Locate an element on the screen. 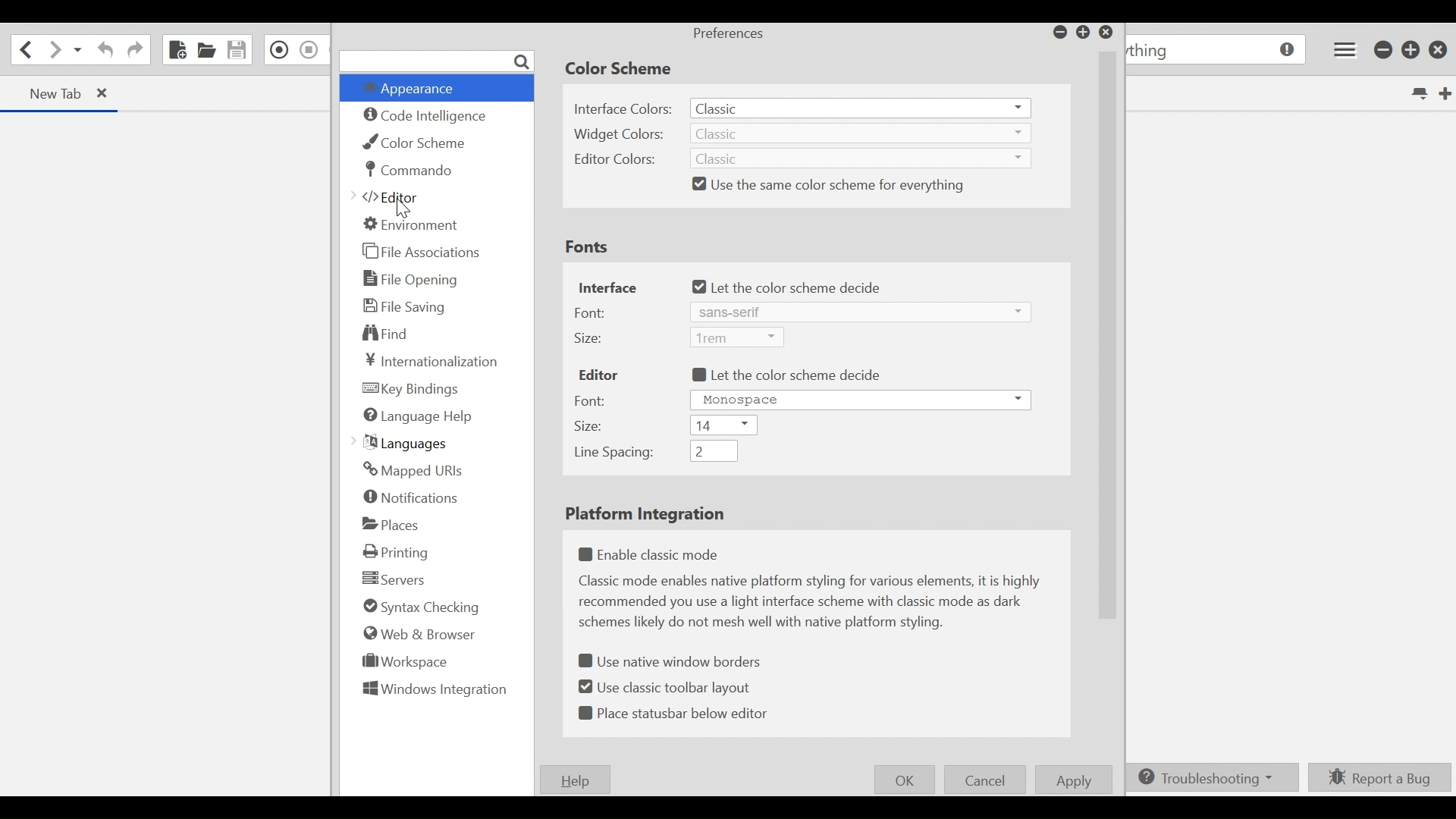 This screenshot has height=819, width=1456. Size dropdown menu is located at coordinates (736, 337).